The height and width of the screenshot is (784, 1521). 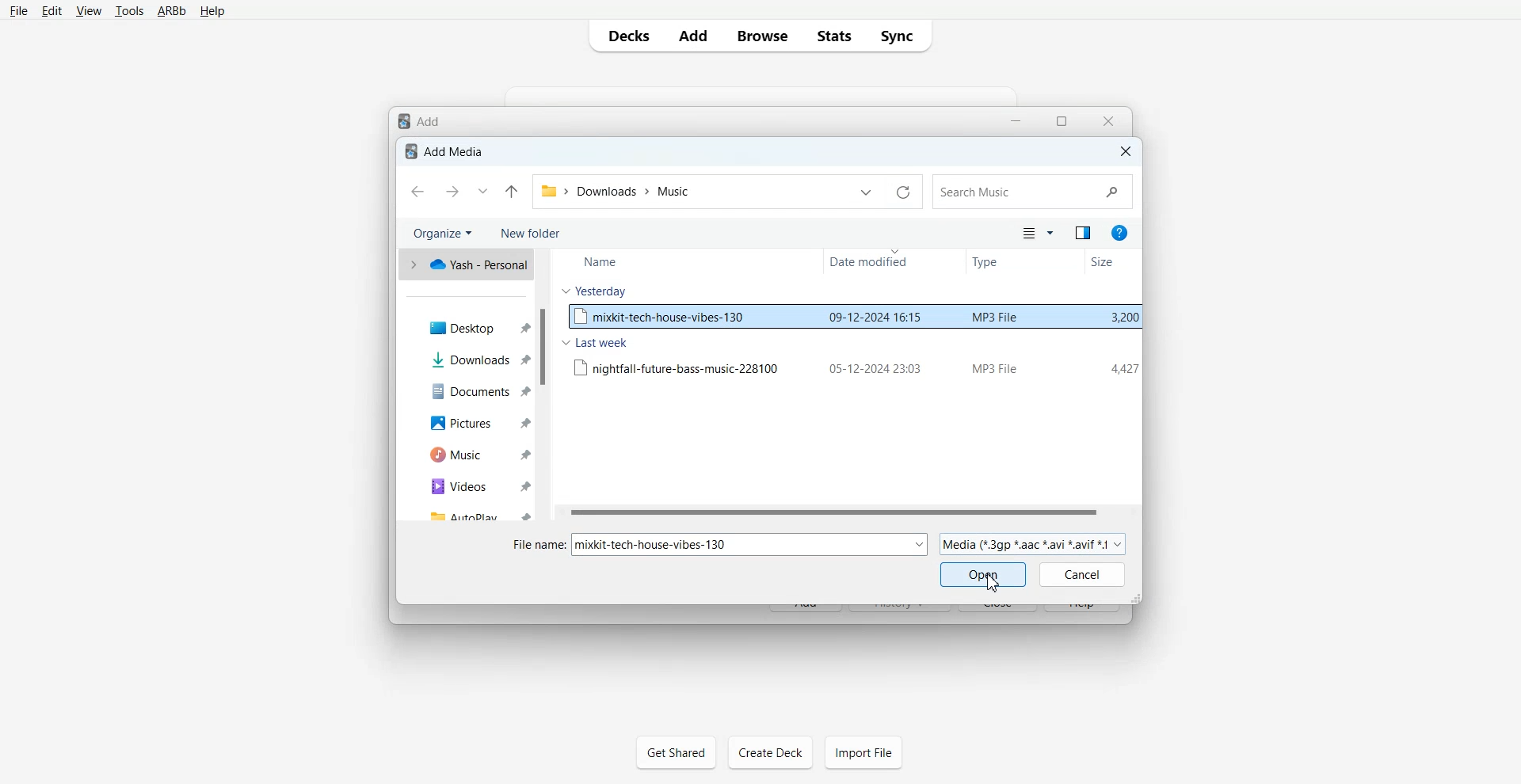 I want to click on AutoPlay, so click(x=476, y=513).